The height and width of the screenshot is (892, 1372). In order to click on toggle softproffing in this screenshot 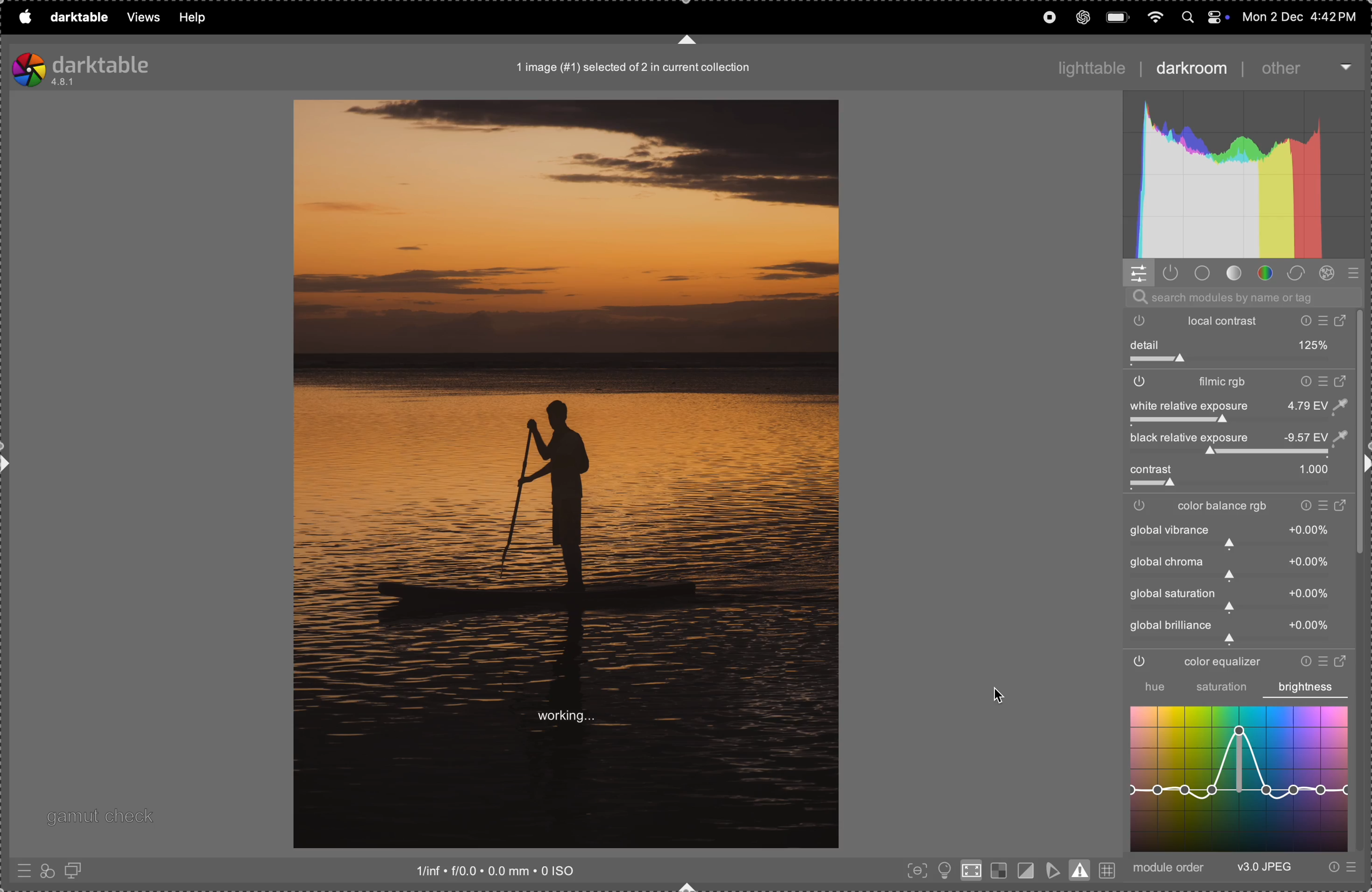, I will do `click(1053, 868)`.